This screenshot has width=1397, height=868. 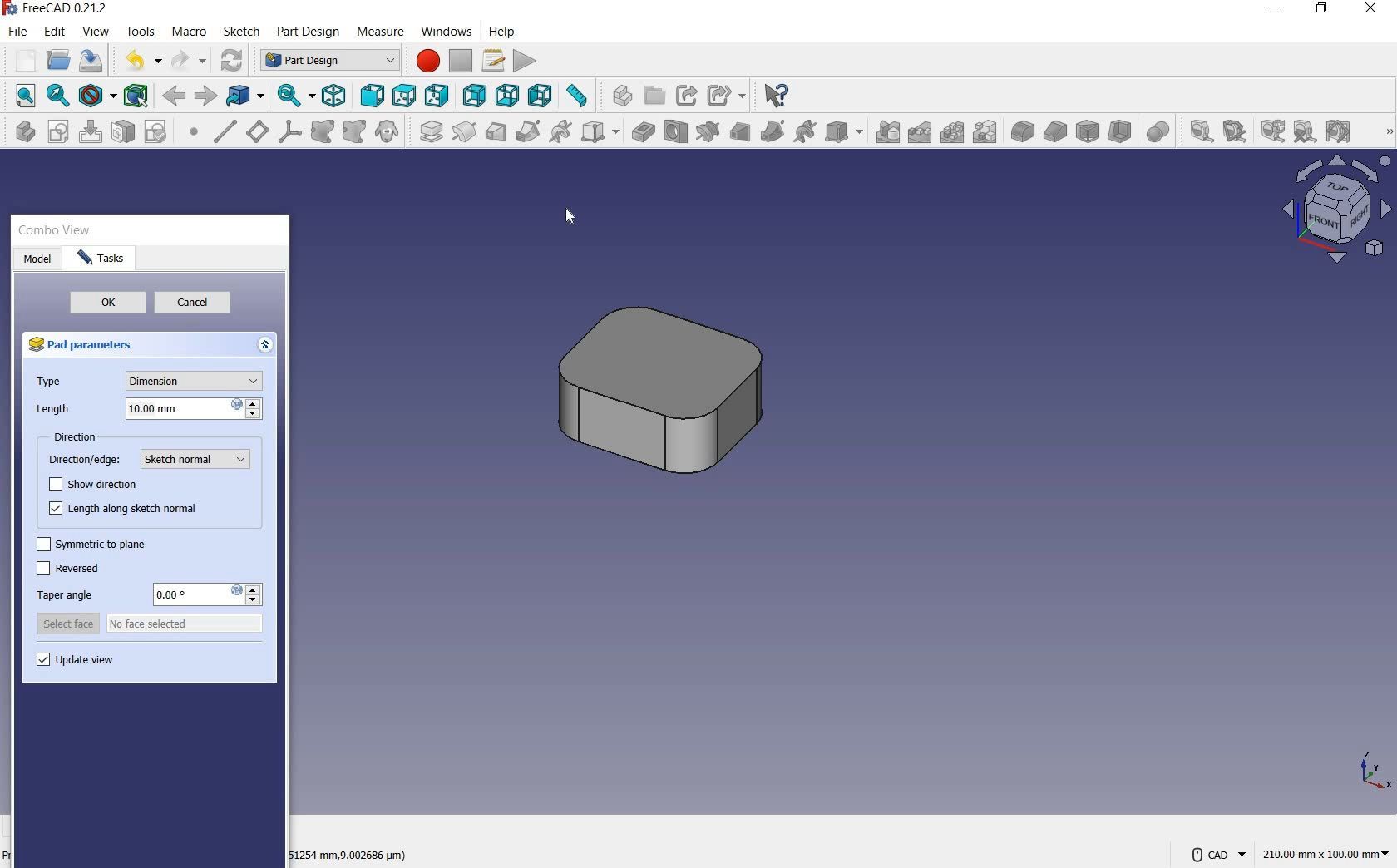 I want to click on measure distance , so click(x=579, y=95).